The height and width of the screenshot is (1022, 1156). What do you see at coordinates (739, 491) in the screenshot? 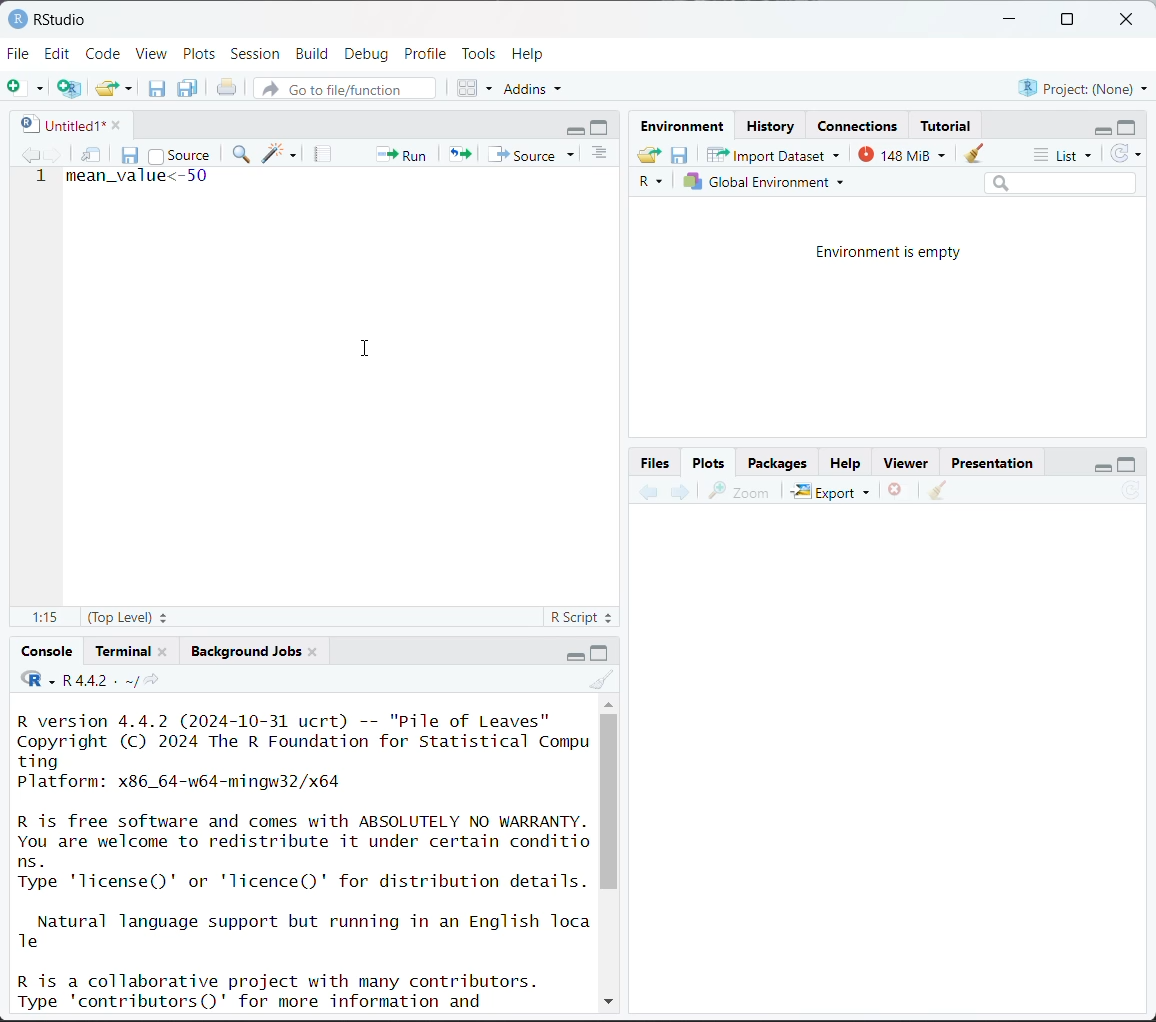
I see `zoom` at bounding box center [739, 491].